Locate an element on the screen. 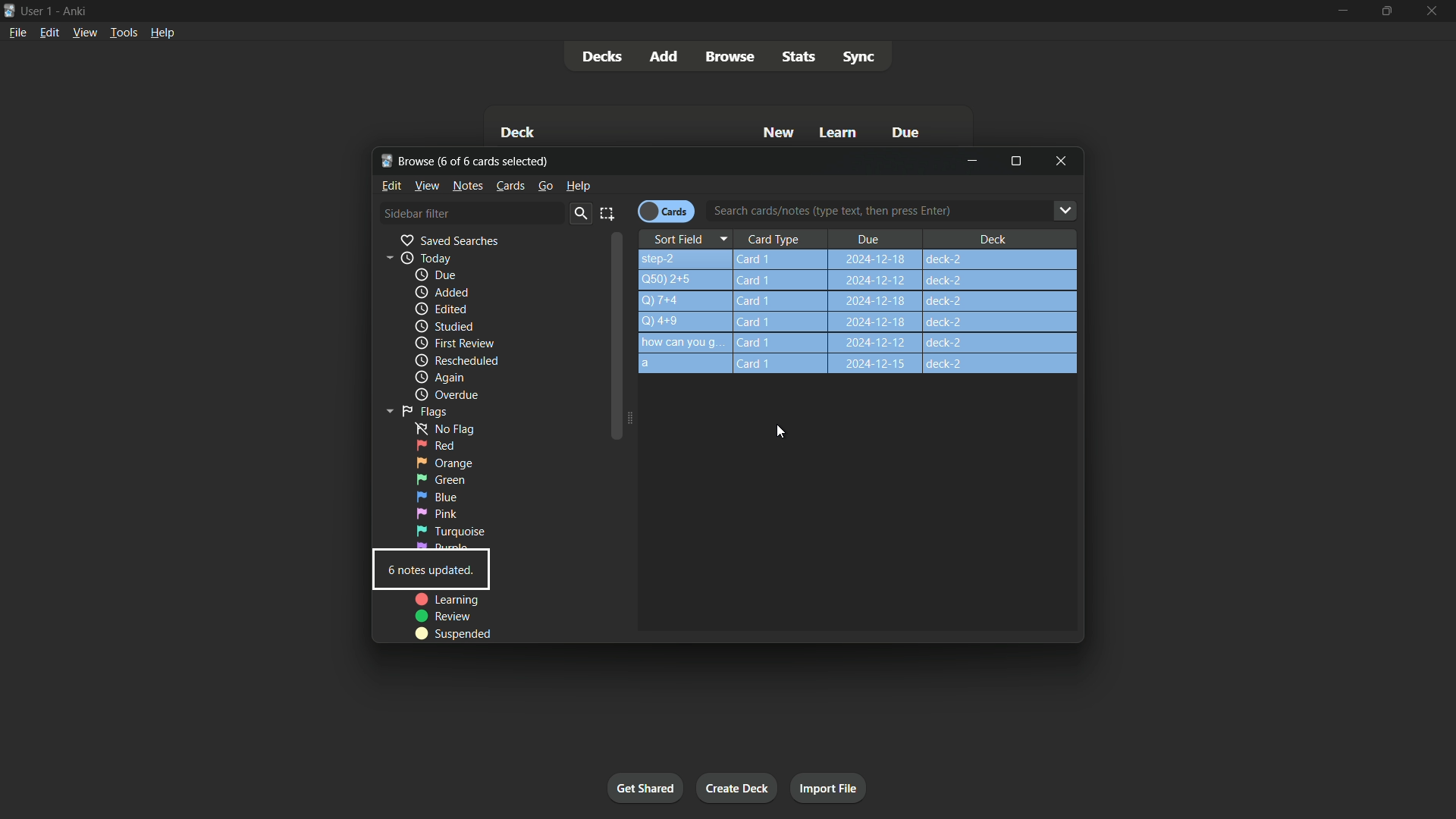 The height and width of the screenshot is (819, 1456). Suspended is located at coordinates (461, 632).